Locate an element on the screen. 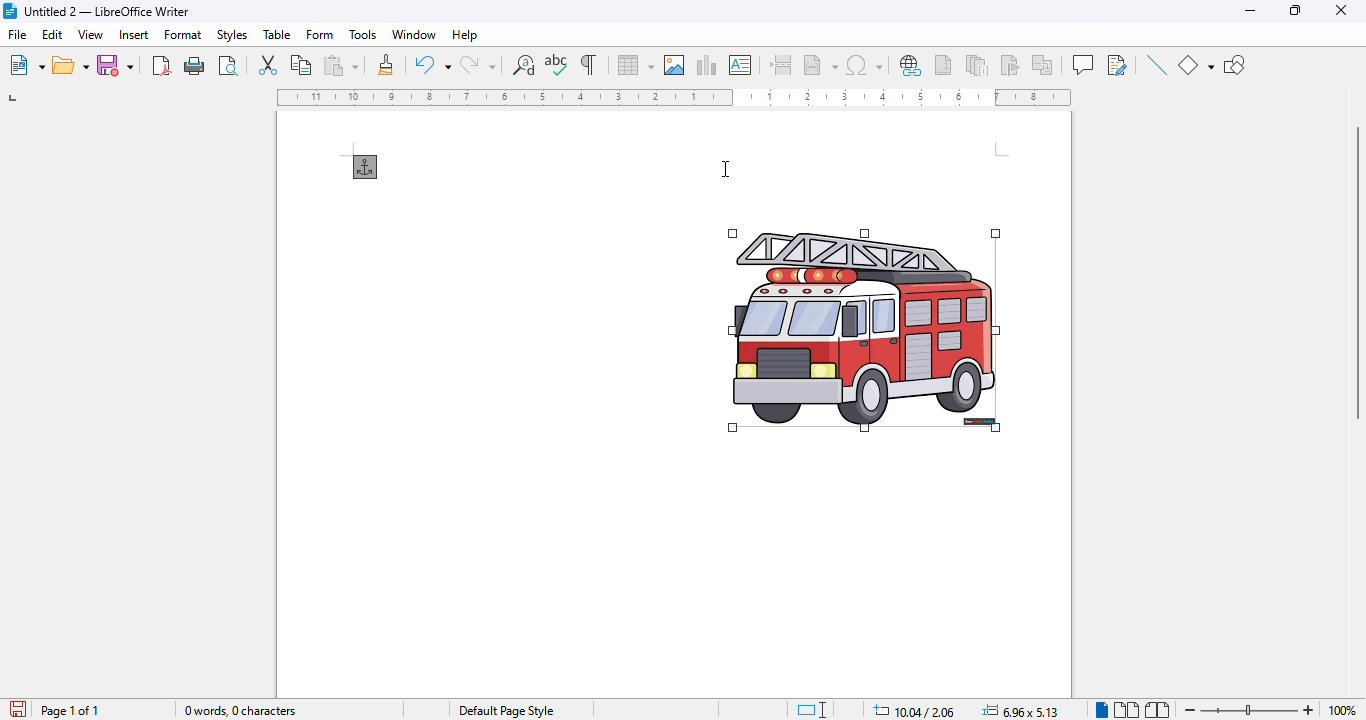 This screenshot has width=1366, height=720. insert special characters is located at coordinates (872, 65).